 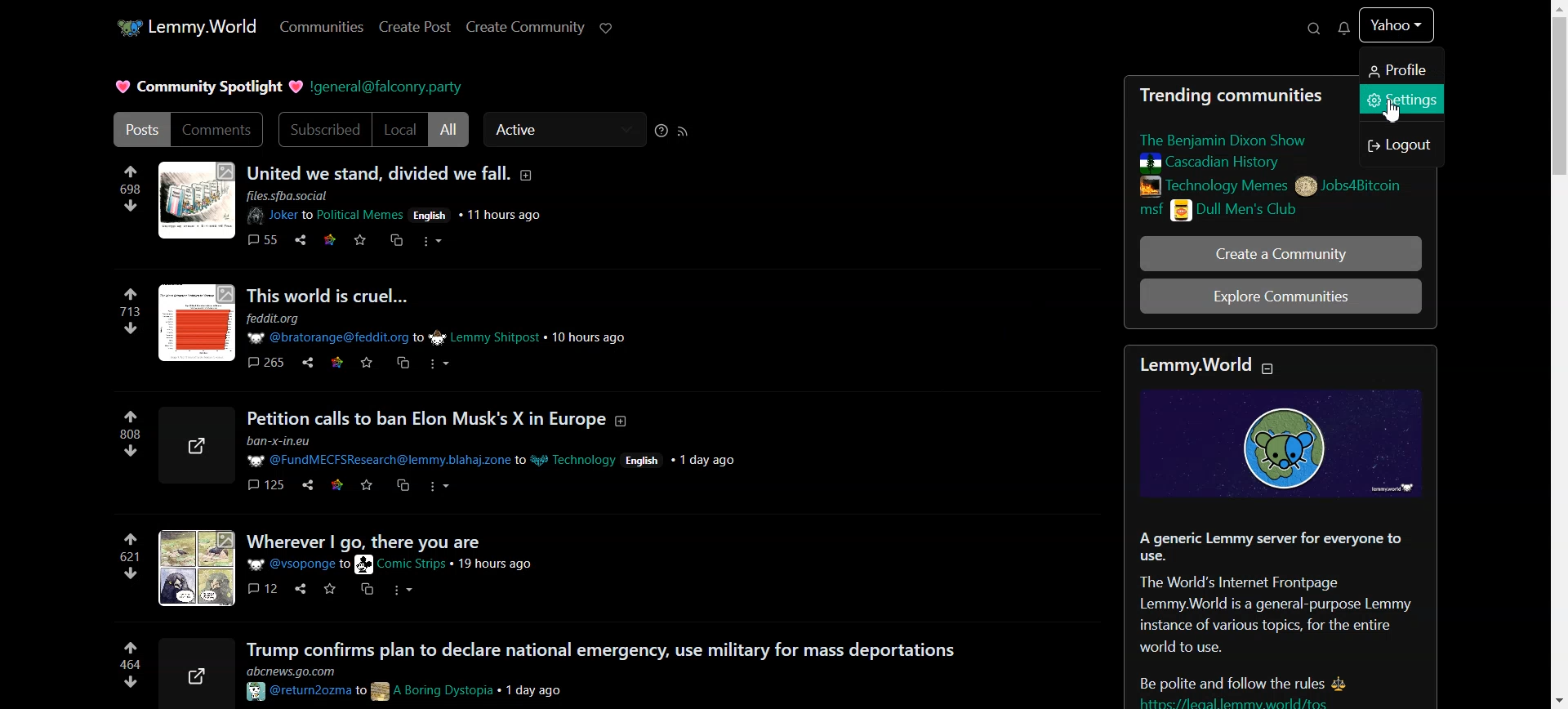 What do you see at coordinates (1279, 253) in the screenshot?
I see `Create A community` at bounding box center [1279, 253].